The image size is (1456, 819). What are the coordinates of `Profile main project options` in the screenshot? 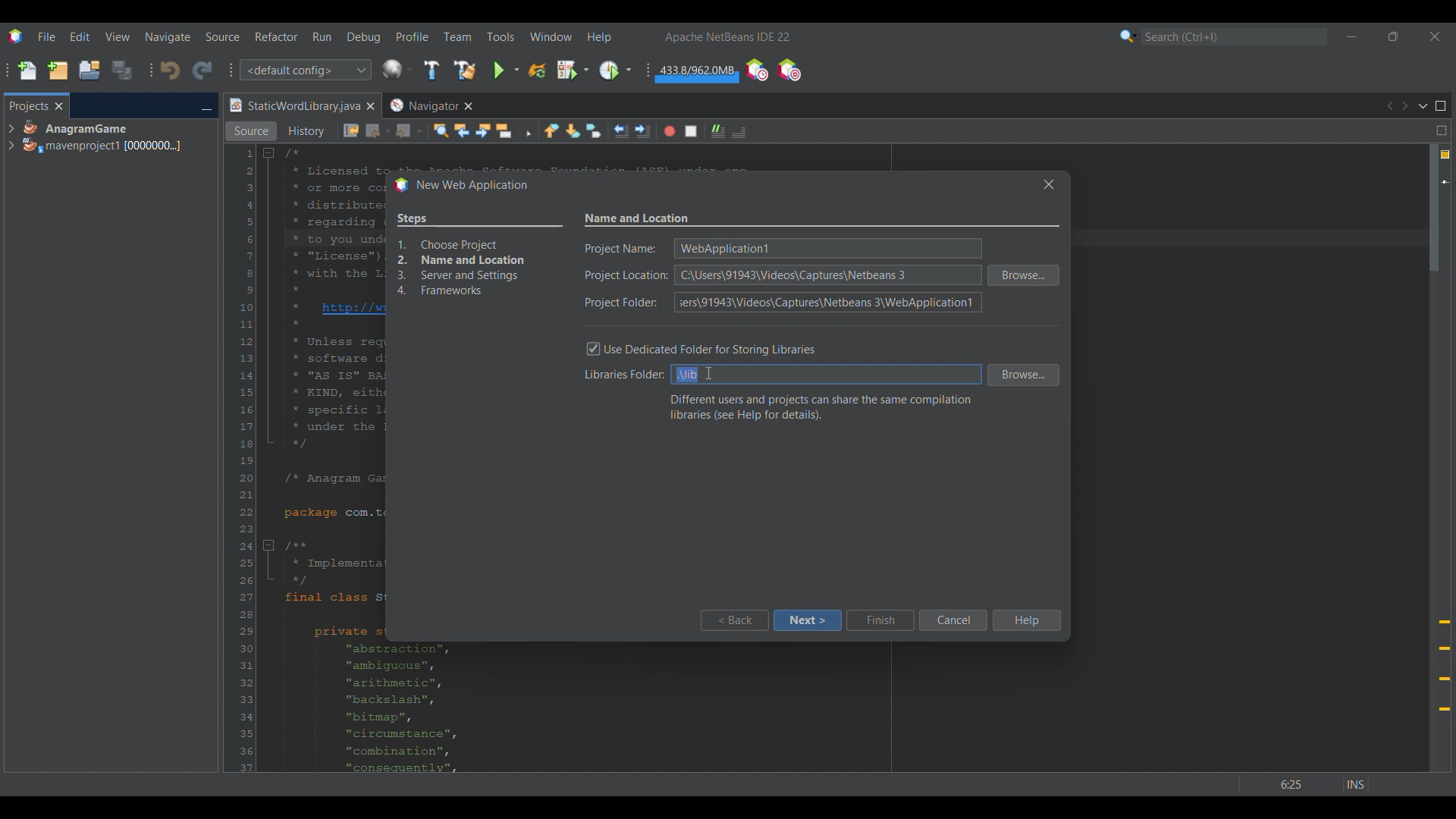 It's located at (615, 71).